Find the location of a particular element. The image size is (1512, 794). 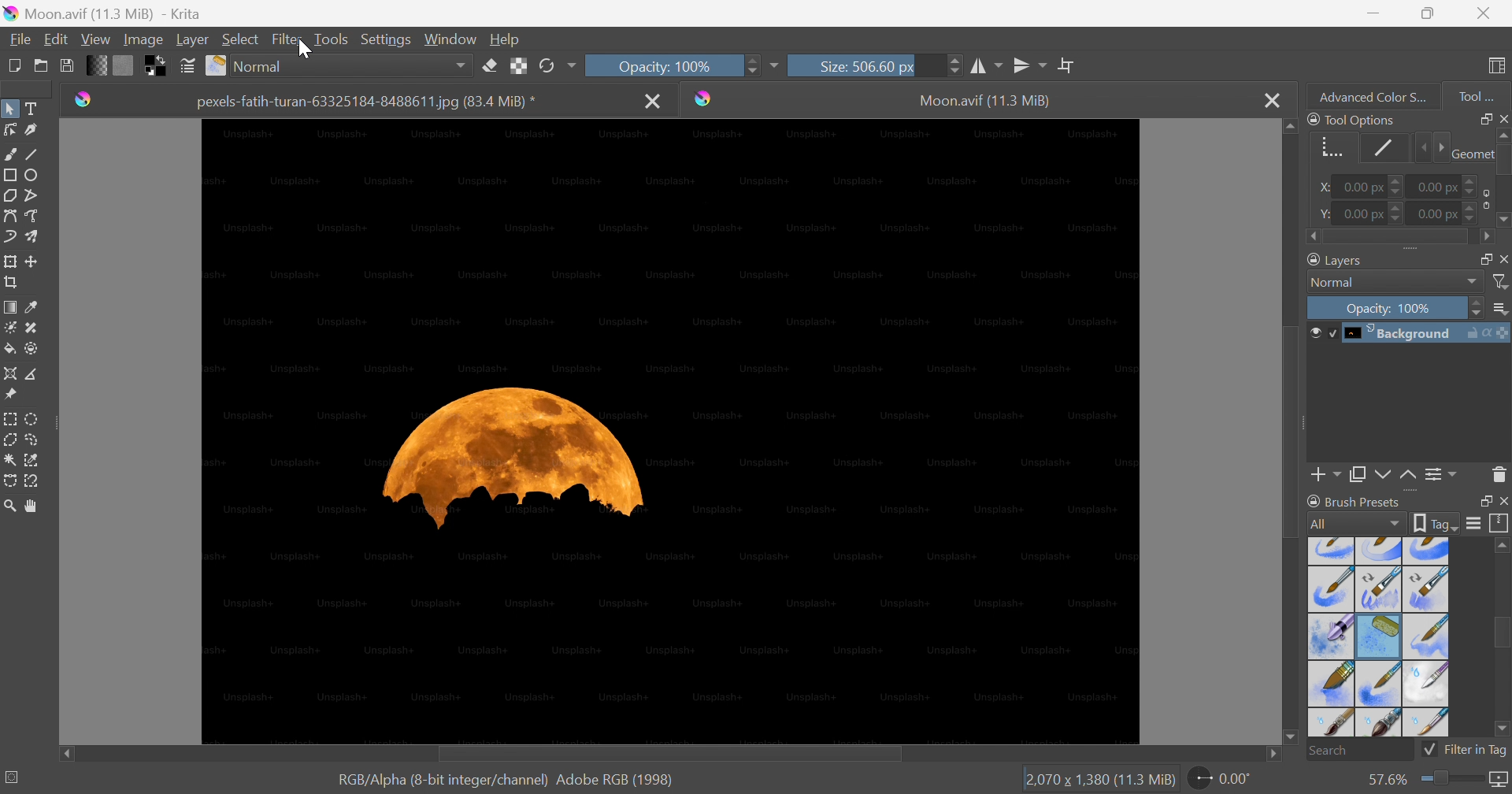

Search is located at coordinates (1359, 751).